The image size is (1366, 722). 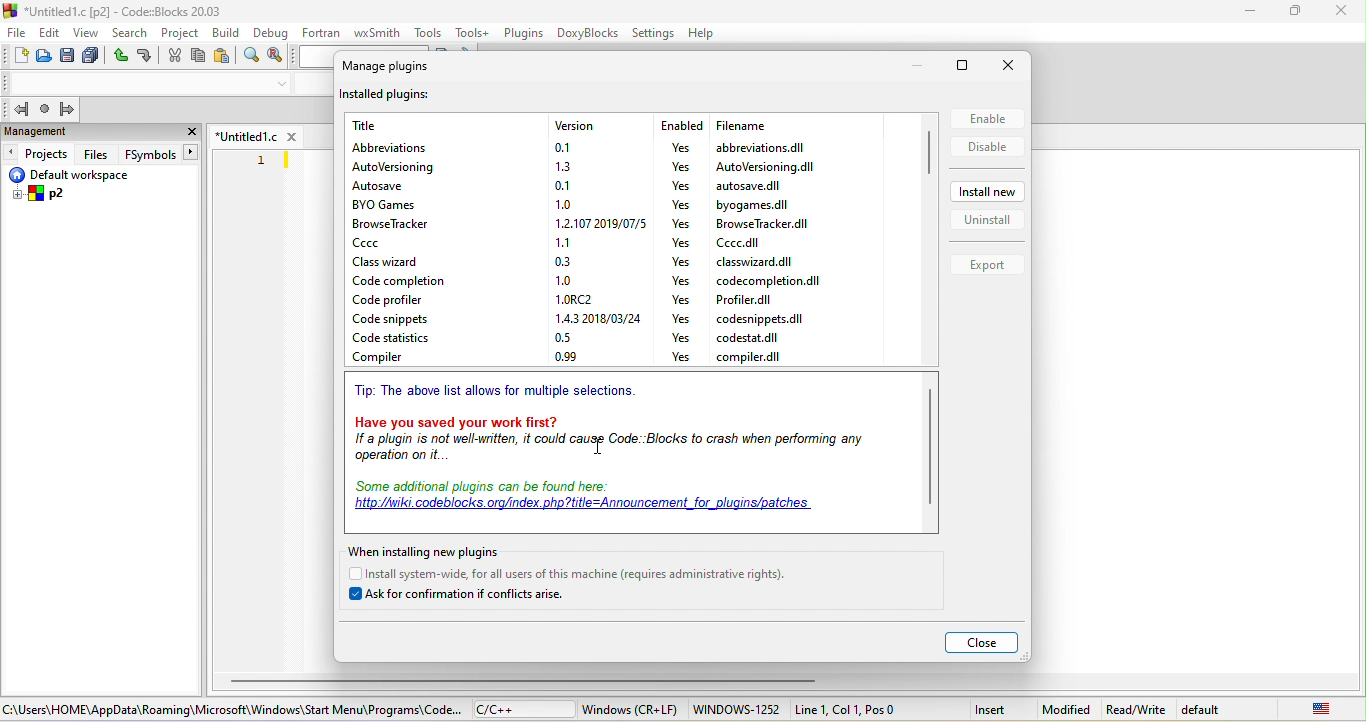 What do you see at coordinates (426, 32) in the screenshot?
I see `tools` at bounding box center [426, 32].